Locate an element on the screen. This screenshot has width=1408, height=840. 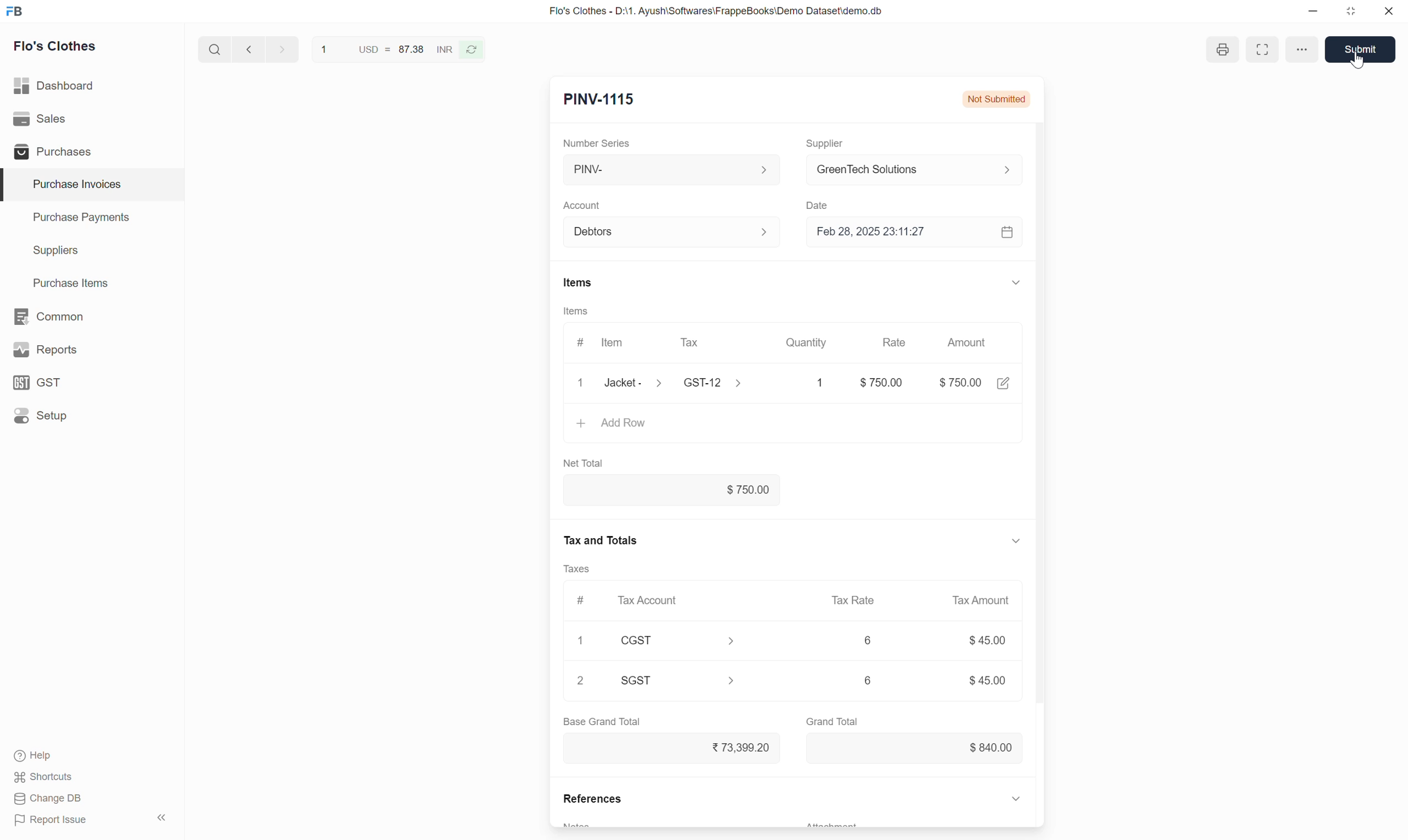
Vertical slide bar is located at coordinates (1040, 436).